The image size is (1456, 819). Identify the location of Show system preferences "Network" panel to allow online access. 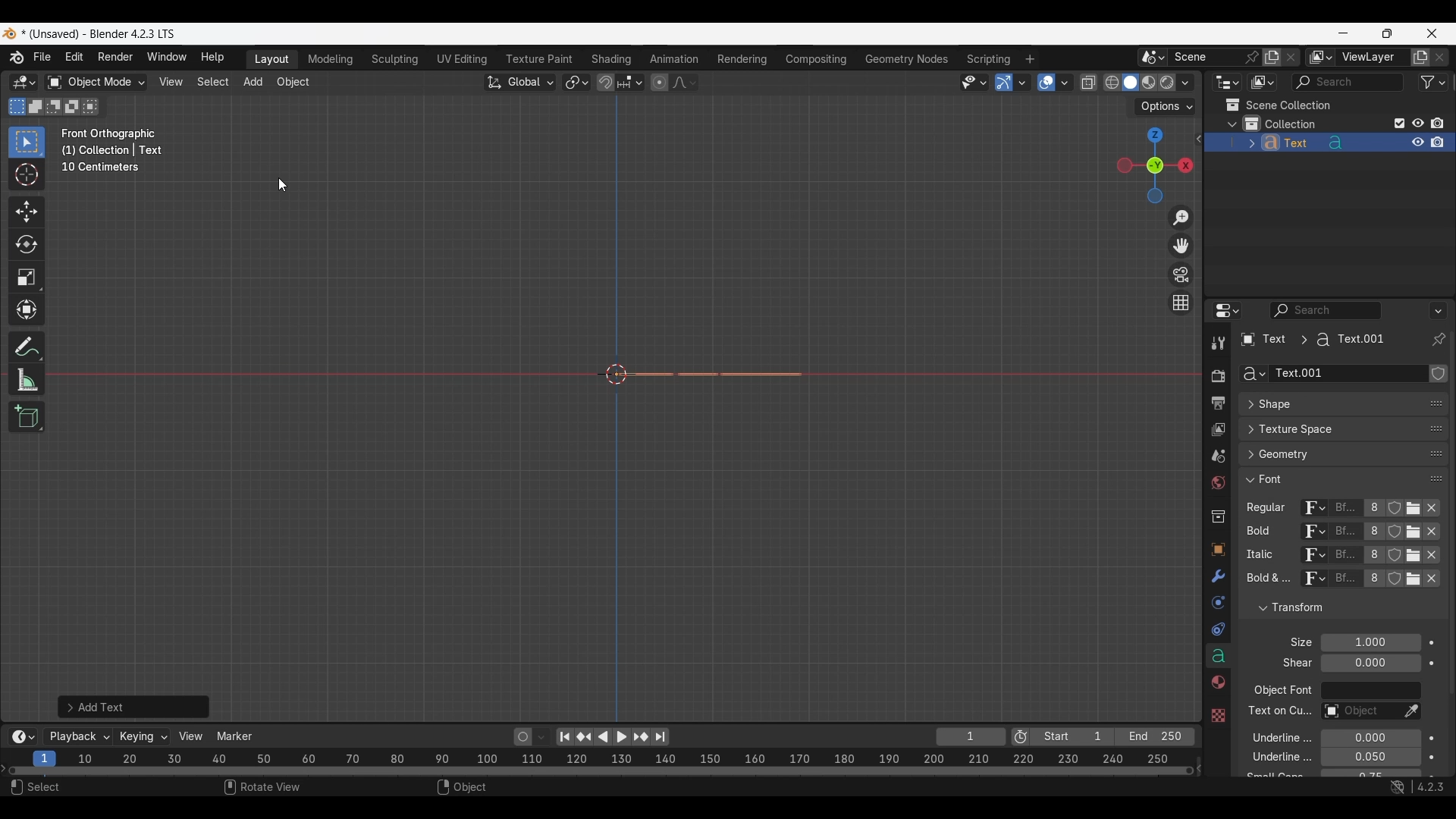
(1397, 788).